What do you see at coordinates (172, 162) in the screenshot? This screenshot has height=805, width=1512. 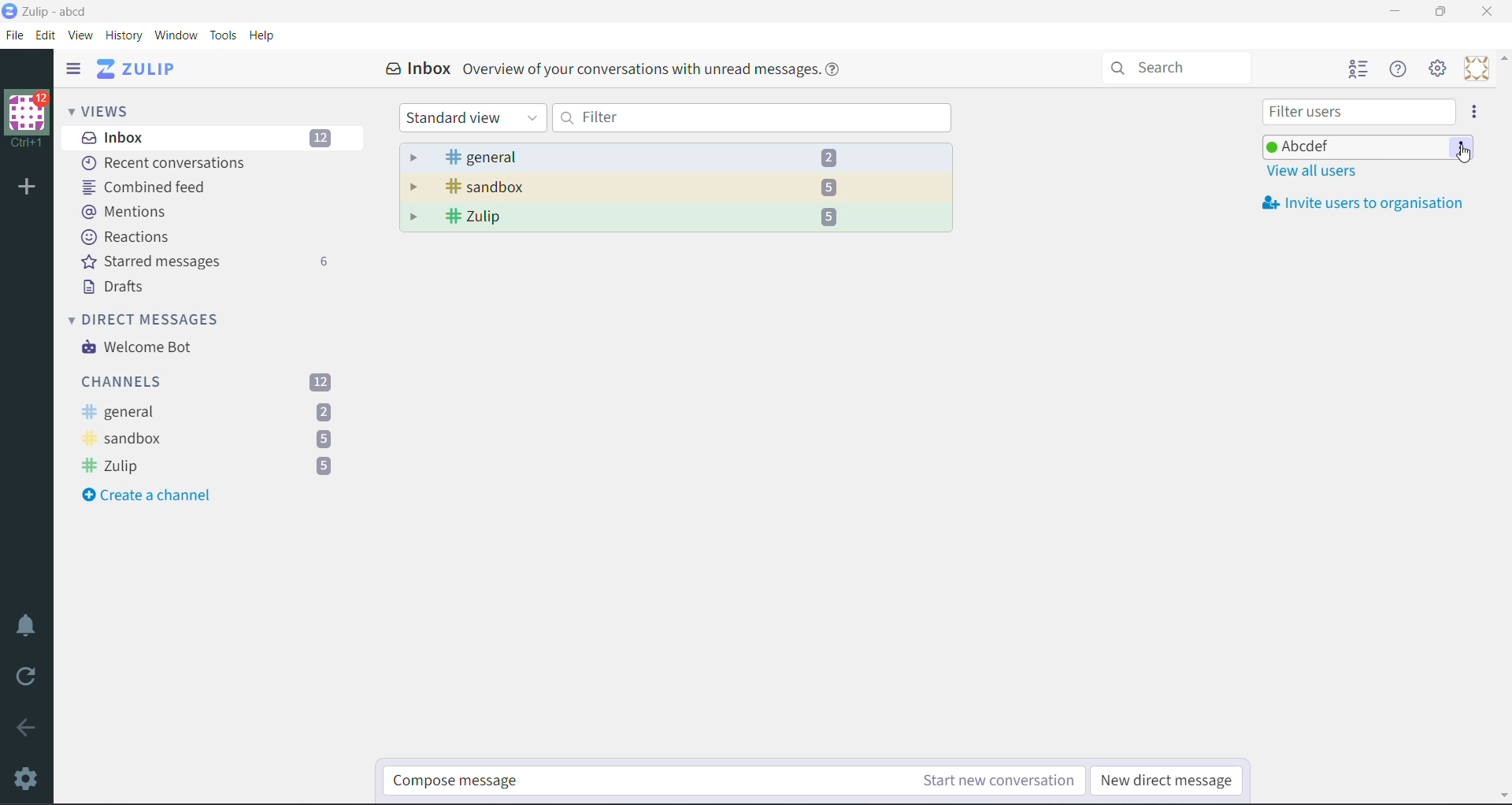 I see `Recent Conversations` at bounding box center [172, 162].